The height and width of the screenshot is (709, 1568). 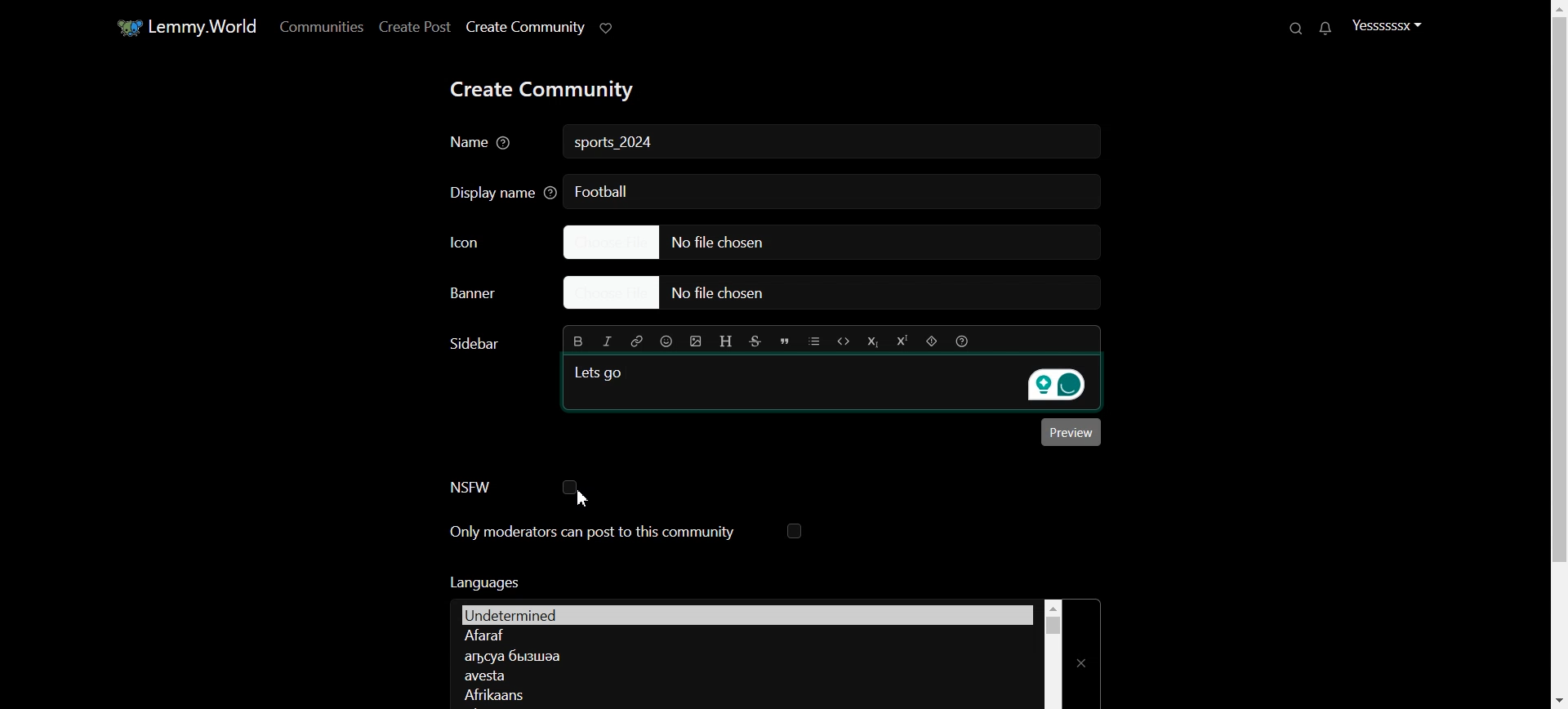 What do you see at coordinates (667, 341) in the screenshot?
I see `Emoji` at bounding box center [667, 341].